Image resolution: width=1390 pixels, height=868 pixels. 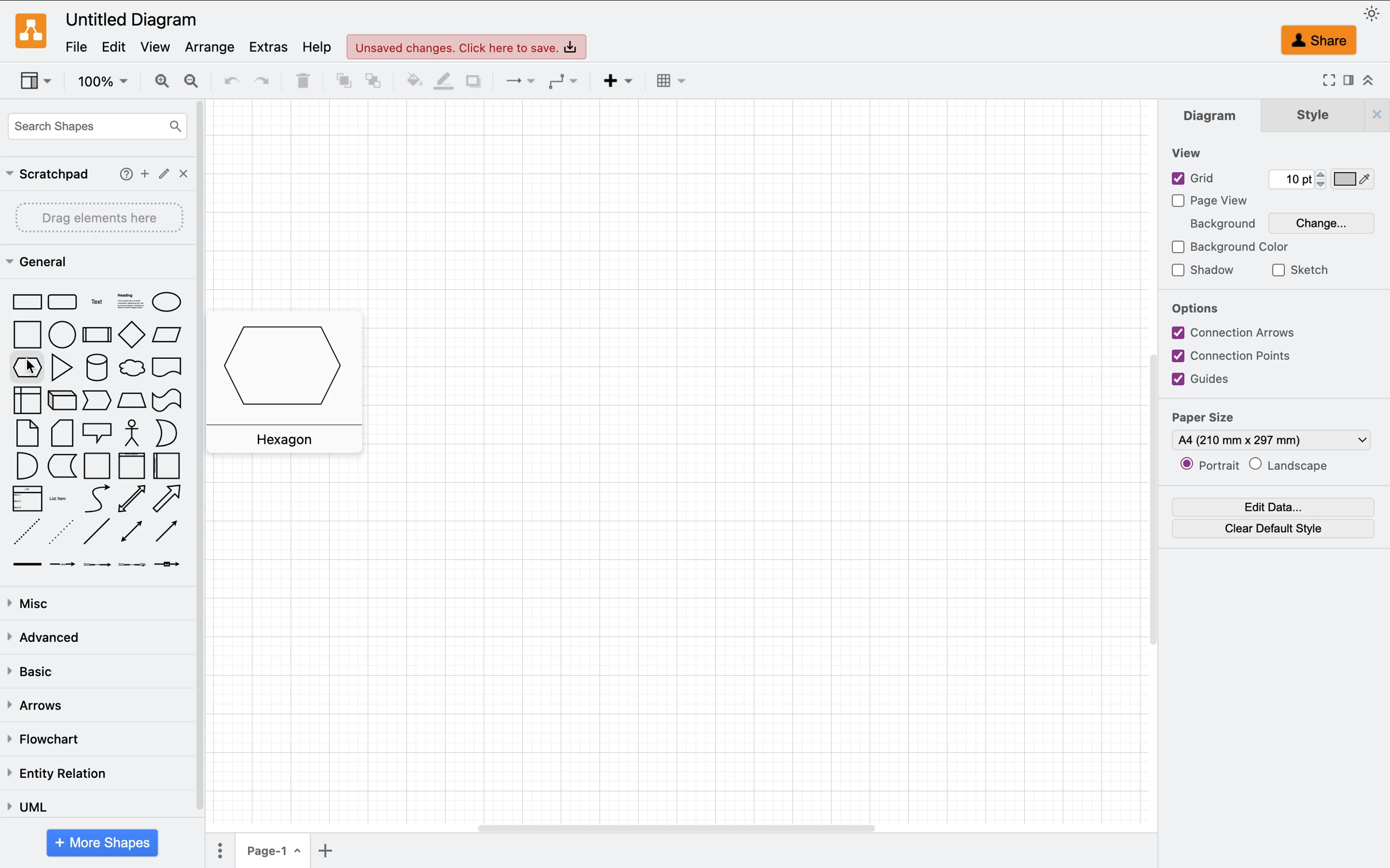 What do you see at coordinates (316, 45) in the screenshot?
I see `help` at bounding box center [316, 45].